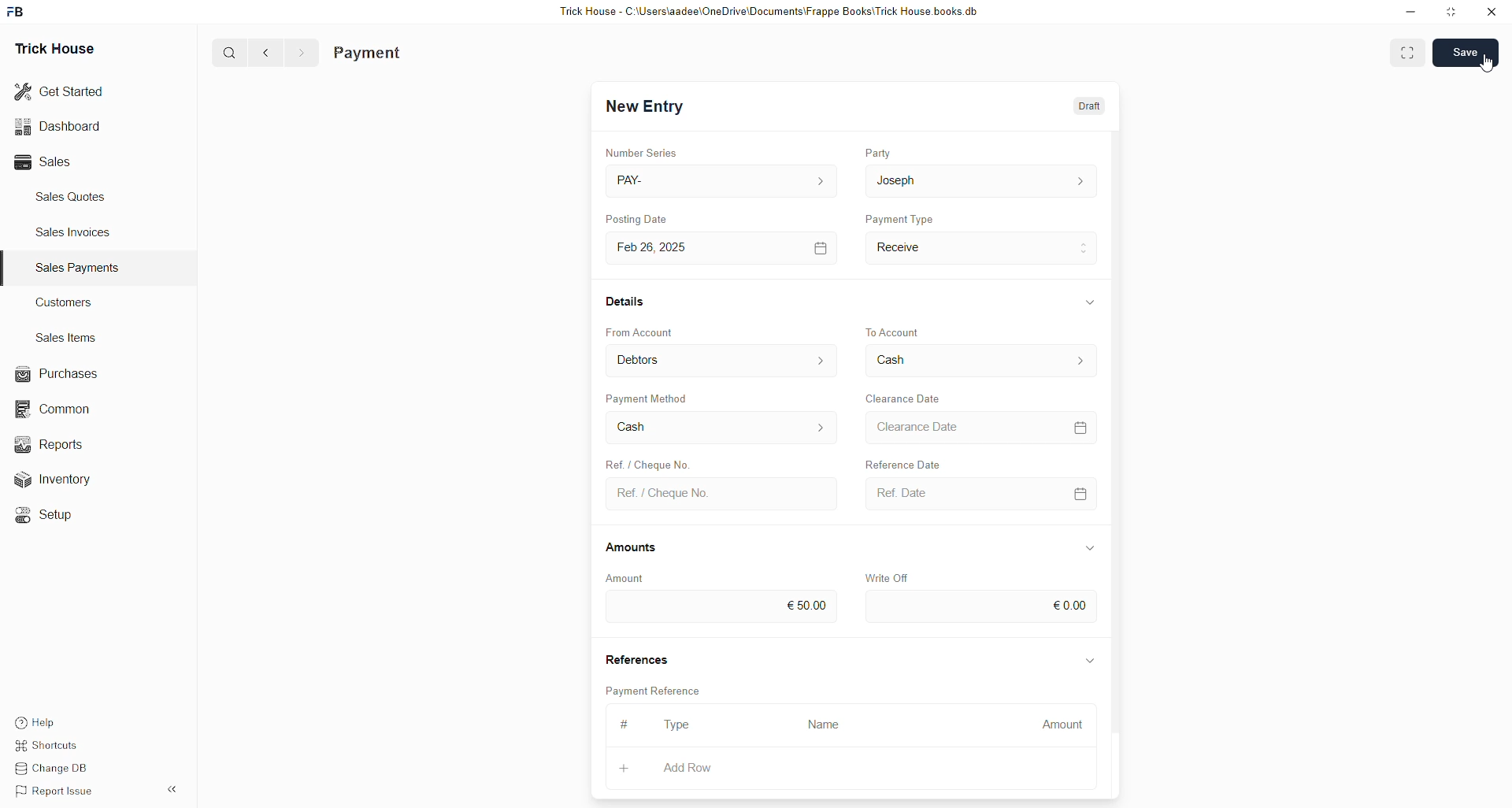 This screenshot has height=808, width=1512. What do you see at coordinates (828, 726) in the screenshot?
I see `Name` at bounding box center [828, 726].